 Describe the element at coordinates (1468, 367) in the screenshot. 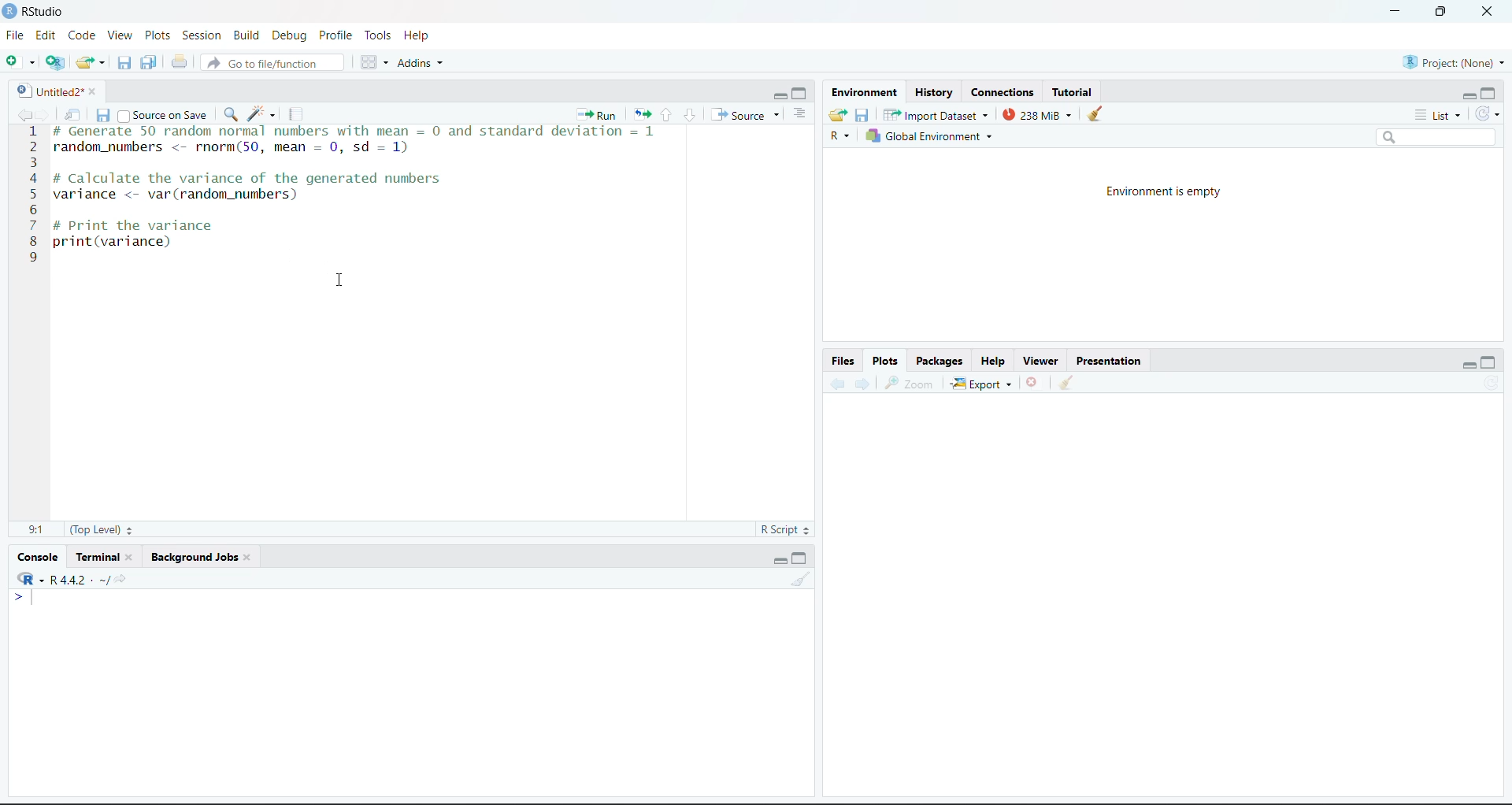

I see `minimize` at that location.